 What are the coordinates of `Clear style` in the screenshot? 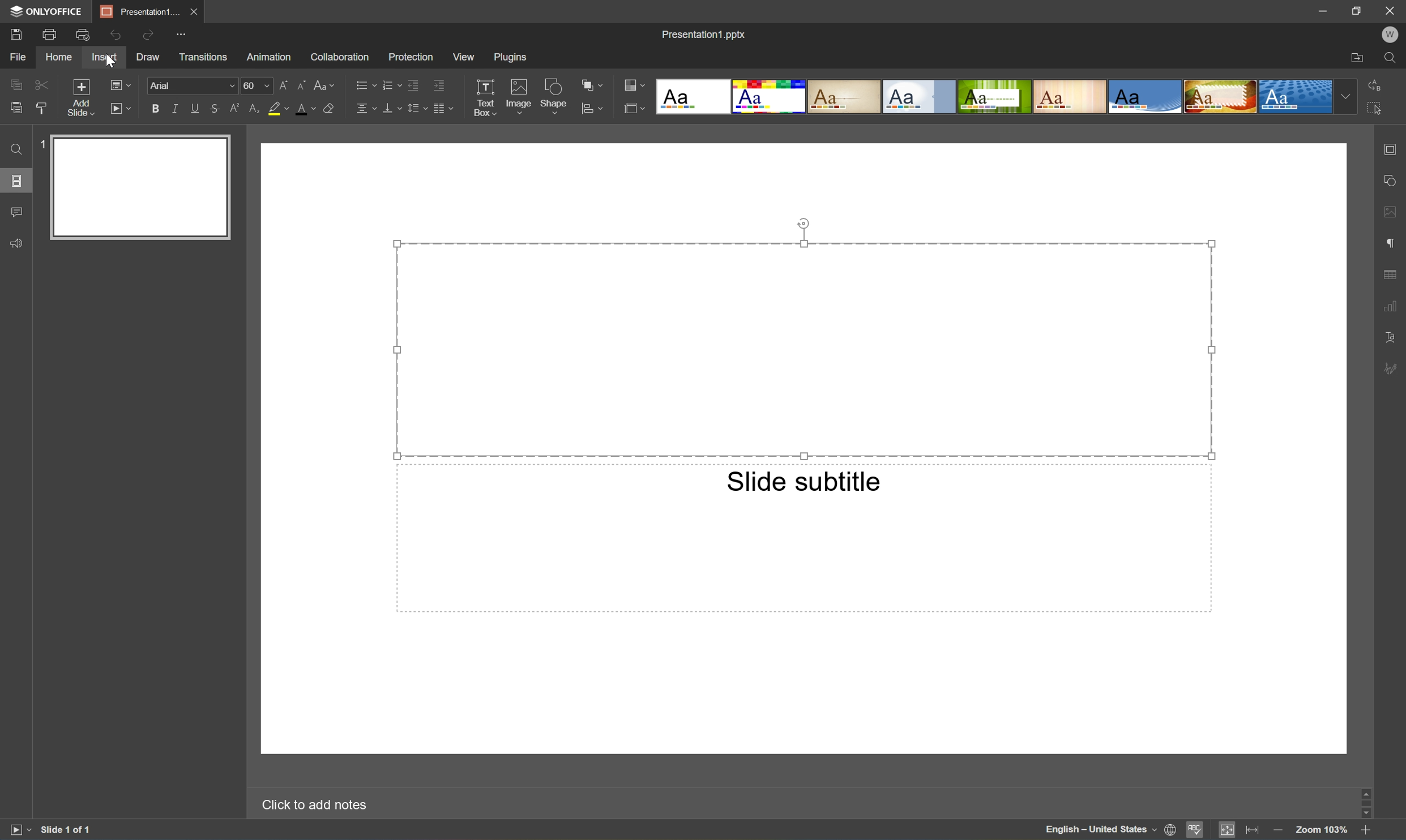 It's located at (330, 107).